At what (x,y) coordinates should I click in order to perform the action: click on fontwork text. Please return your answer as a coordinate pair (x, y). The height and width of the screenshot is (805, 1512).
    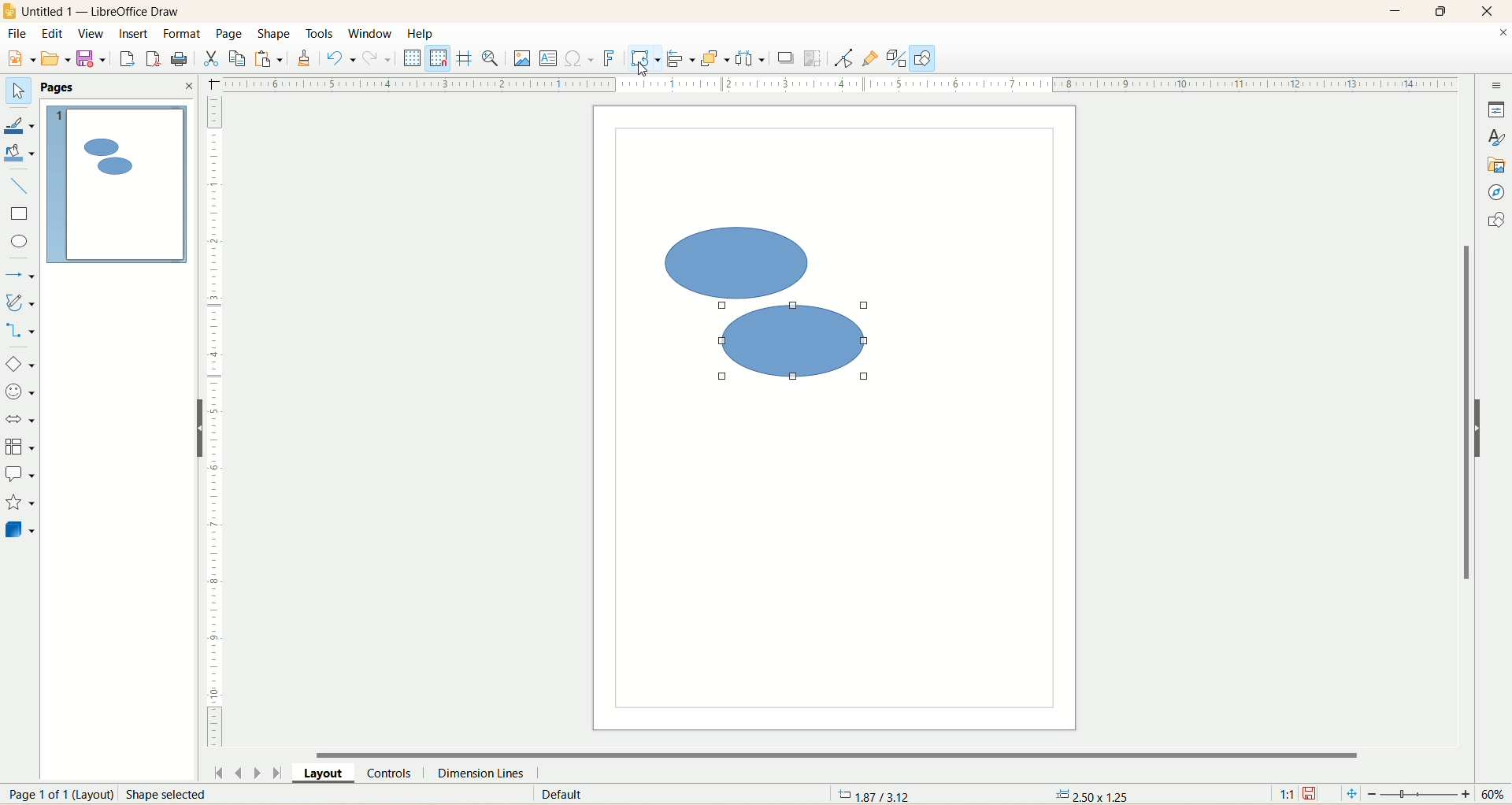
    Looking at the image, I should click on (609, 59).